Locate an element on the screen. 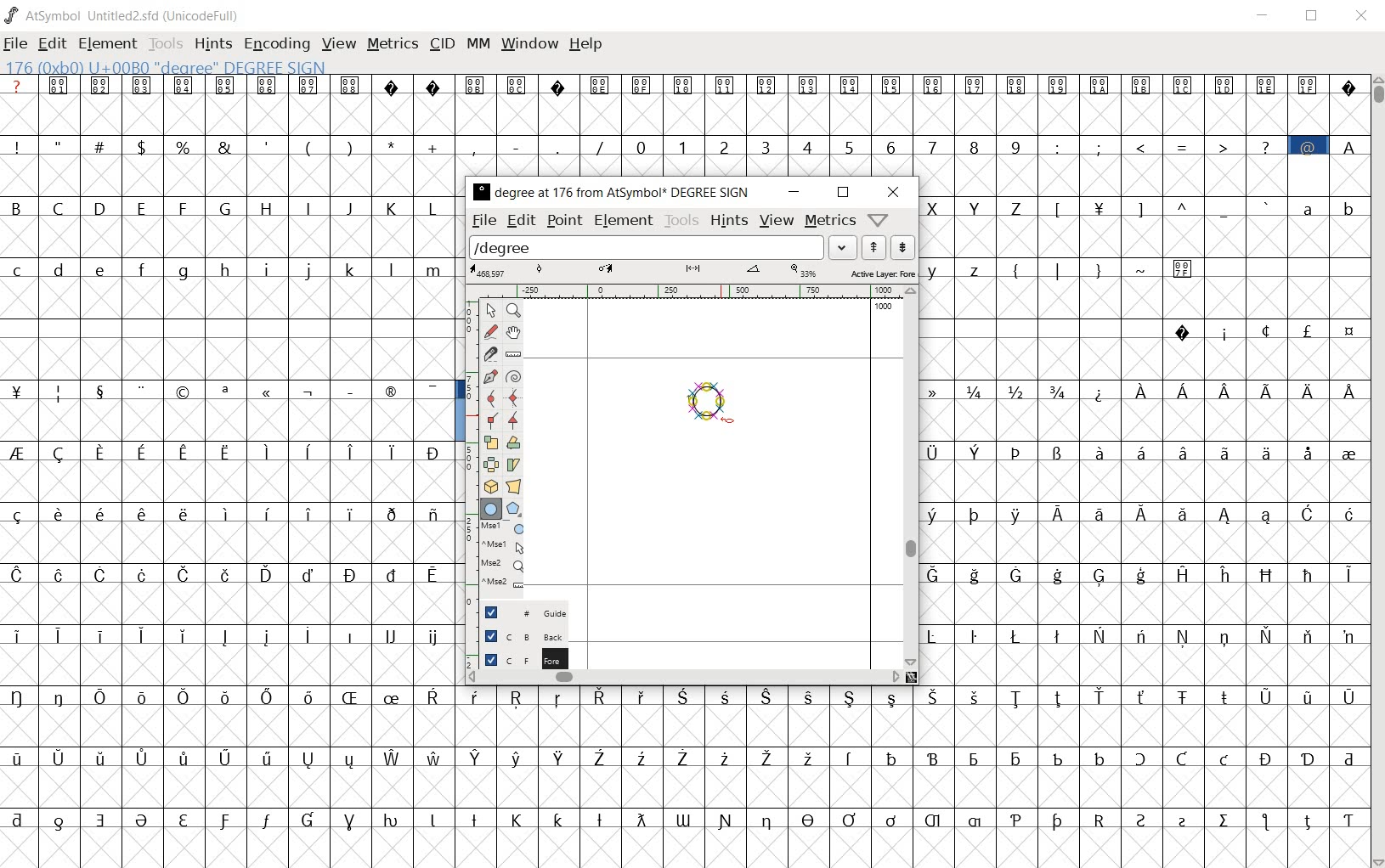  scrollbar is located at coordinates (1377, 470).